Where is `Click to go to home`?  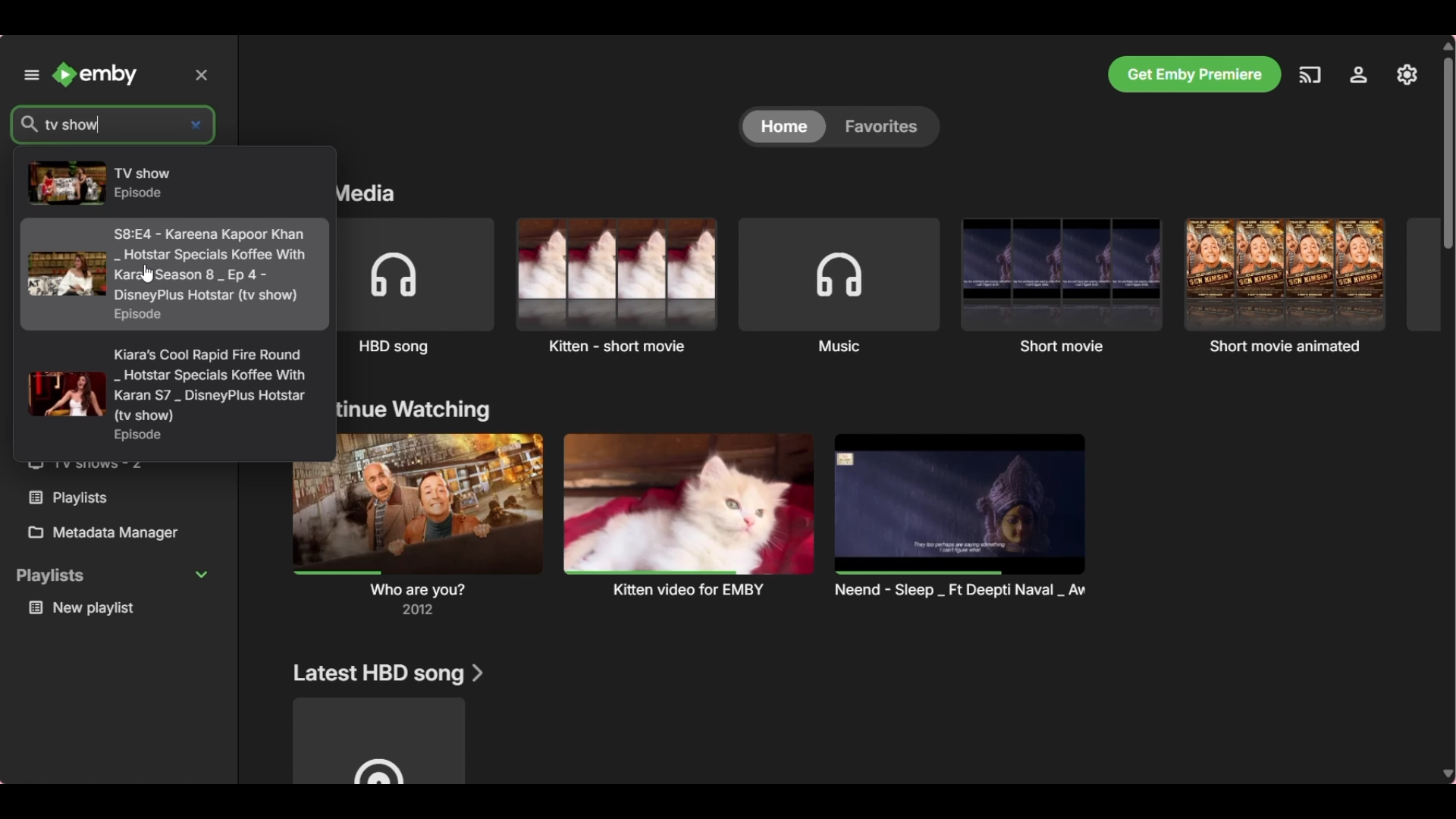
Click to go to home is located at coordinates (94, 74).